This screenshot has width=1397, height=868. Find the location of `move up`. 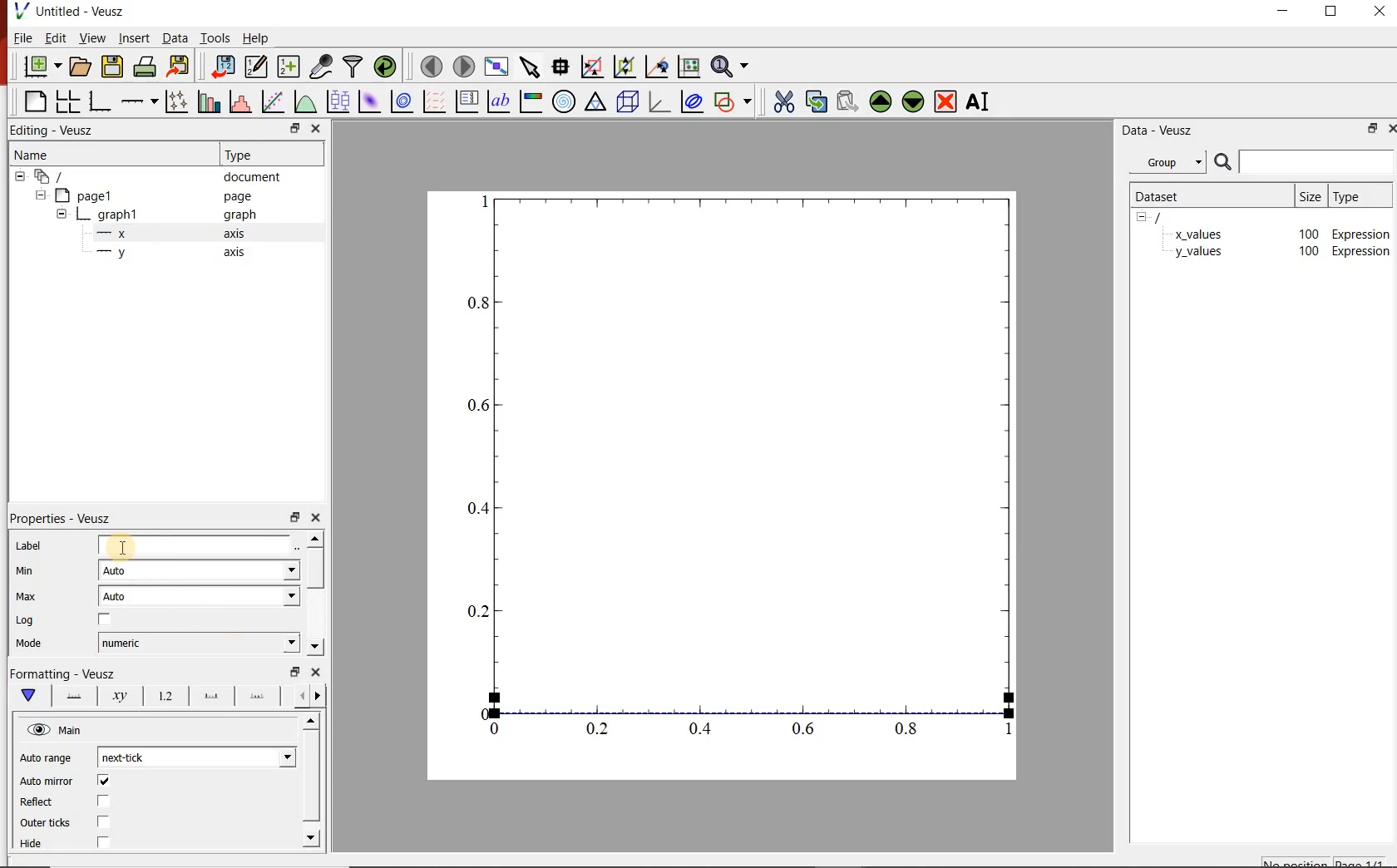

move up is located at coordinates (313, 538).